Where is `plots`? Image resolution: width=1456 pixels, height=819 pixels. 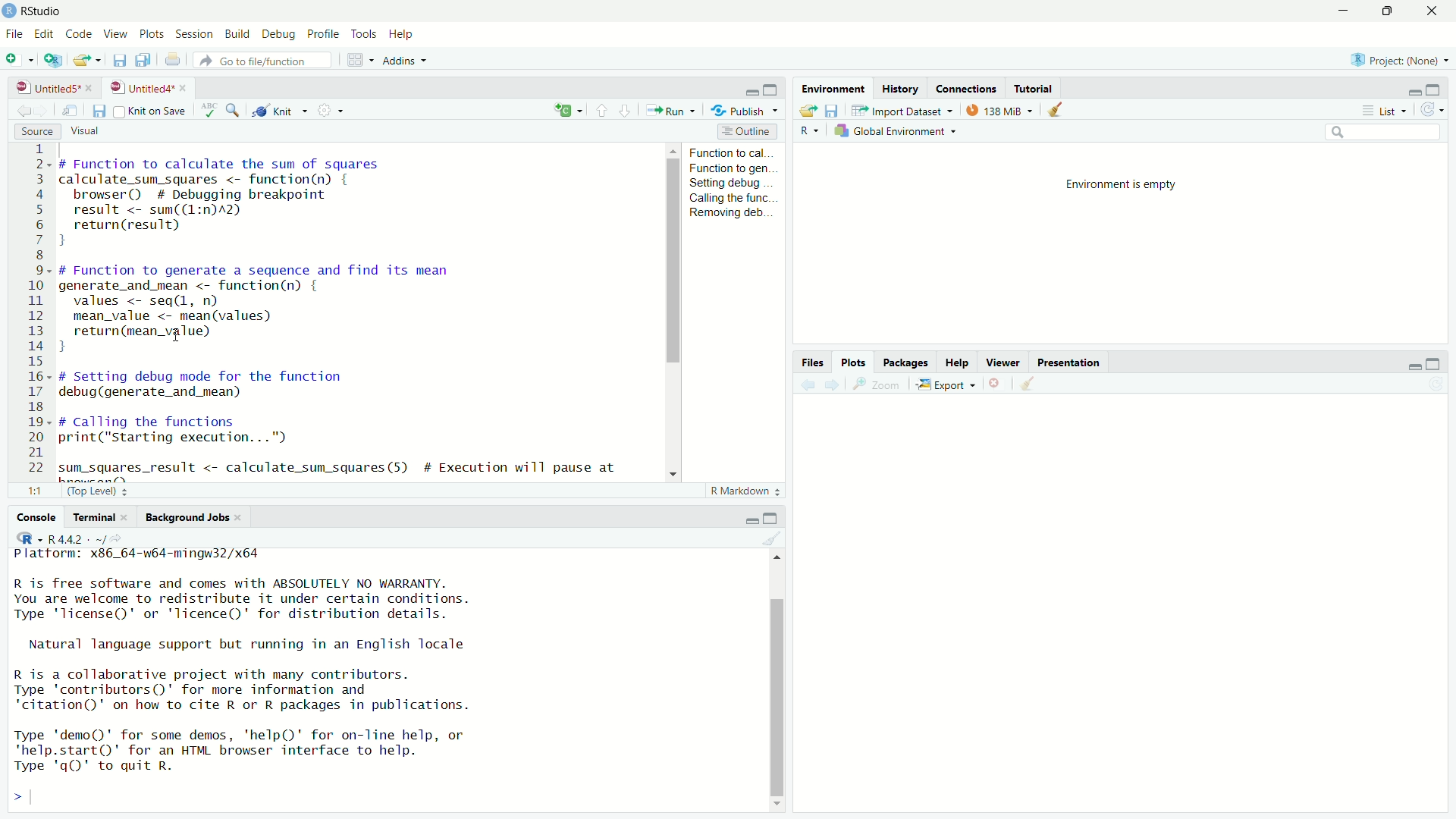 plots is located at coordinates (153, 33).